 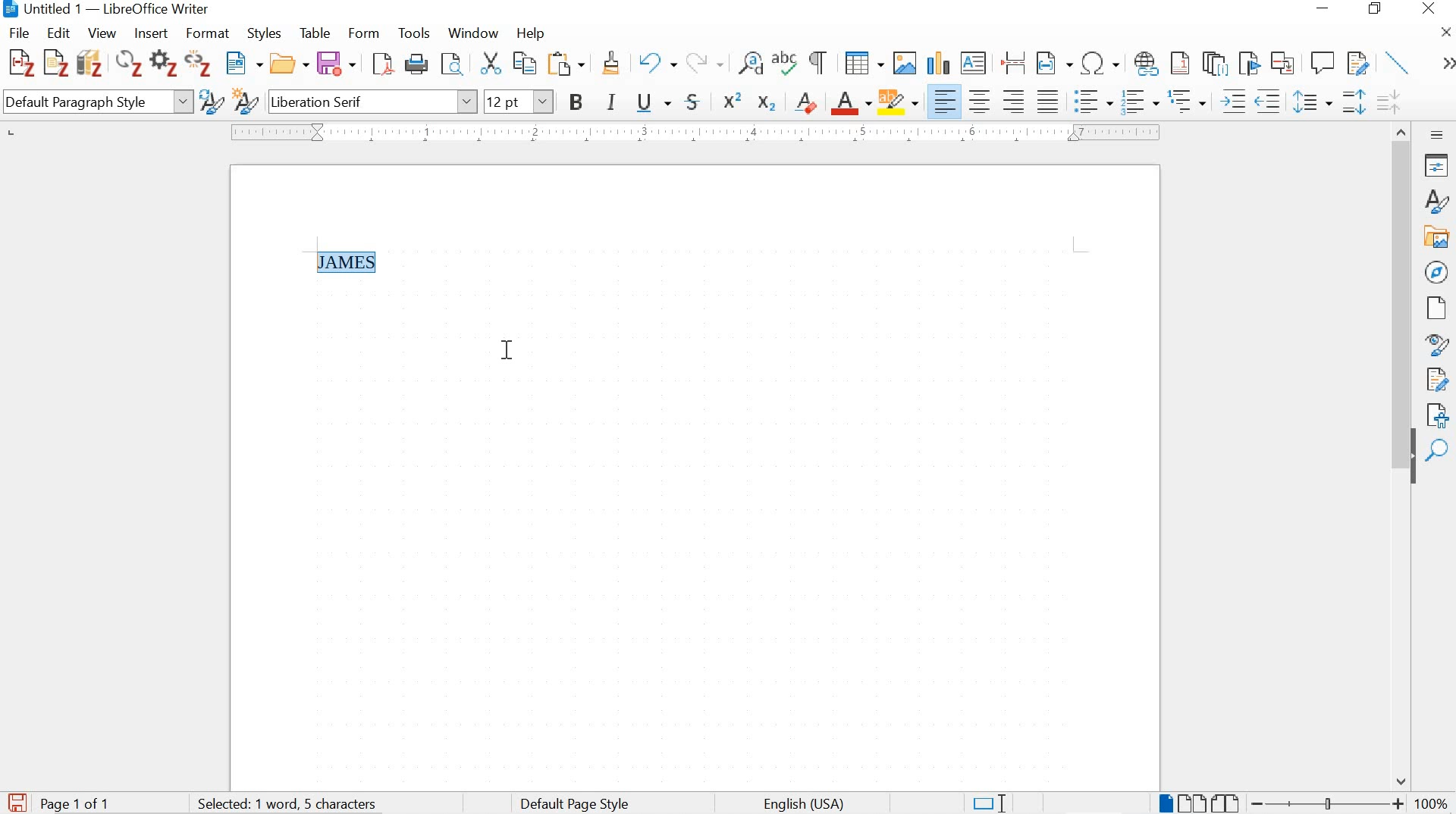 I want to click on unlink citations, so click(x=199, y=66).